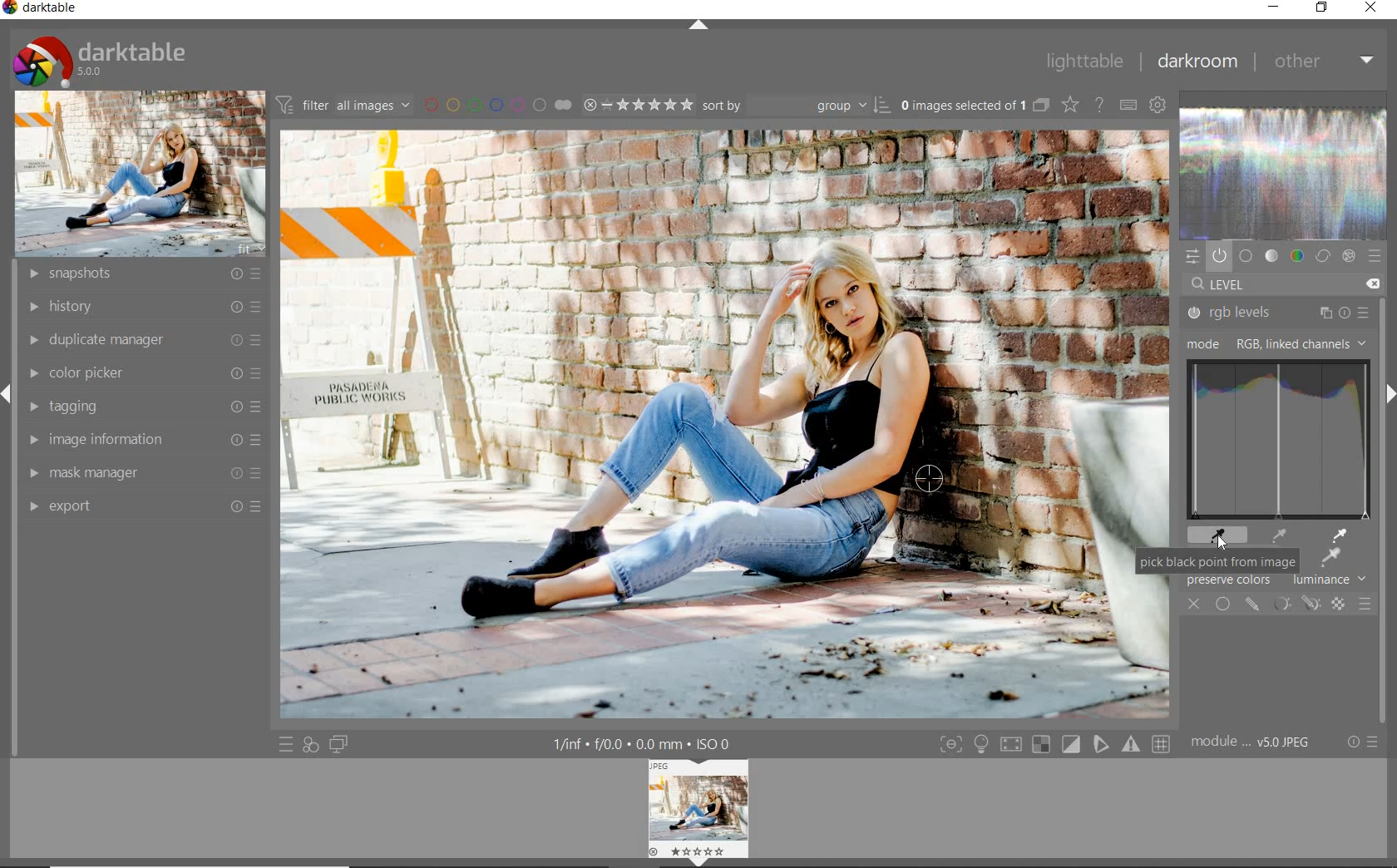 The height and width of the screenshot is (868, 1397). What do you see at coordinates (1042, 106) in the screenshot?
I see `collapse grouped images` at bounding box center [1042, 106].